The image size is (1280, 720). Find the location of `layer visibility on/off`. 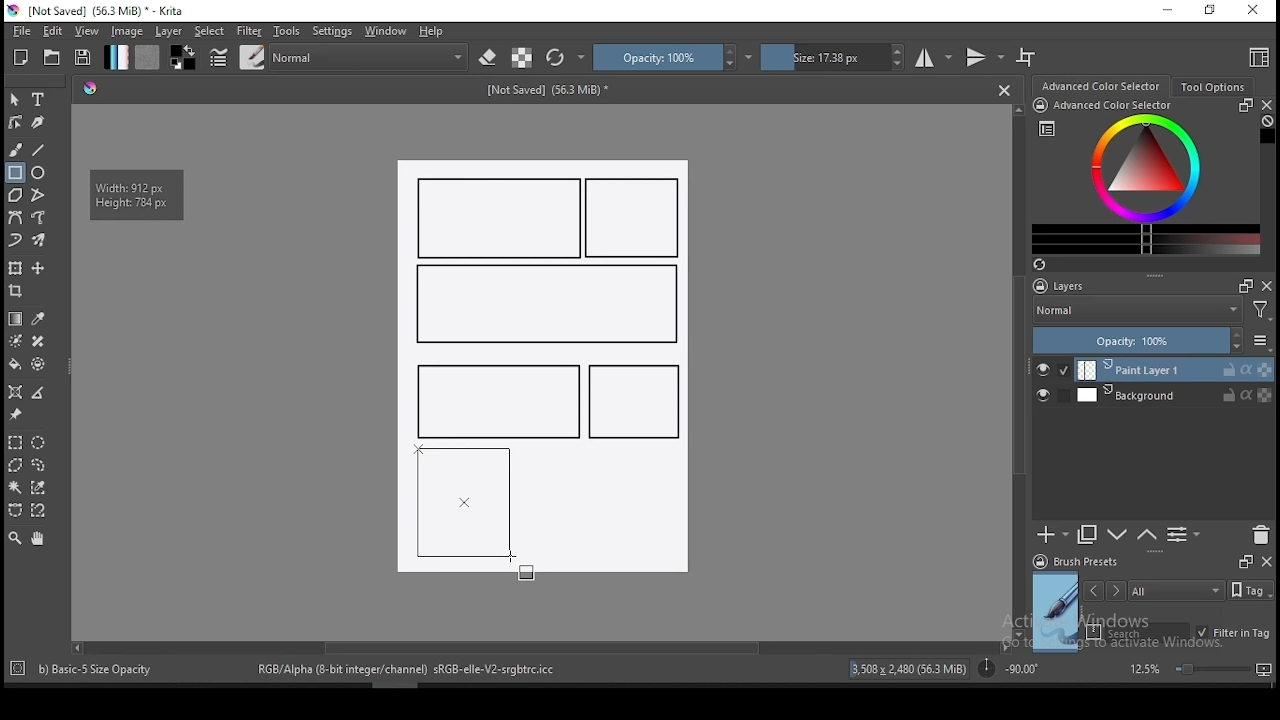

layer visibility on/off is located at coordinates (1053, 370).